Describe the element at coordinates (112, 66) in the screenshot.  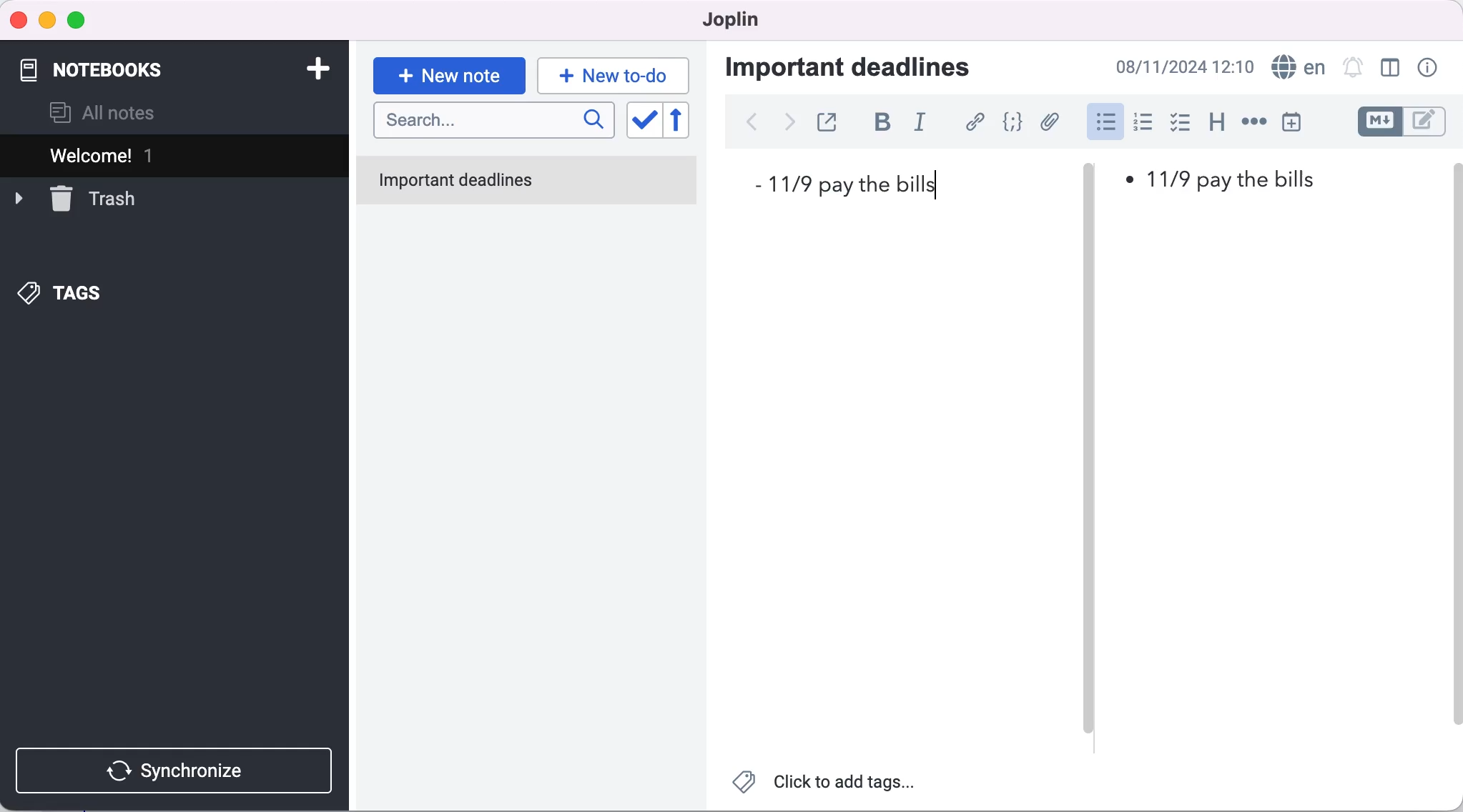
I see `notebooks` at that location.